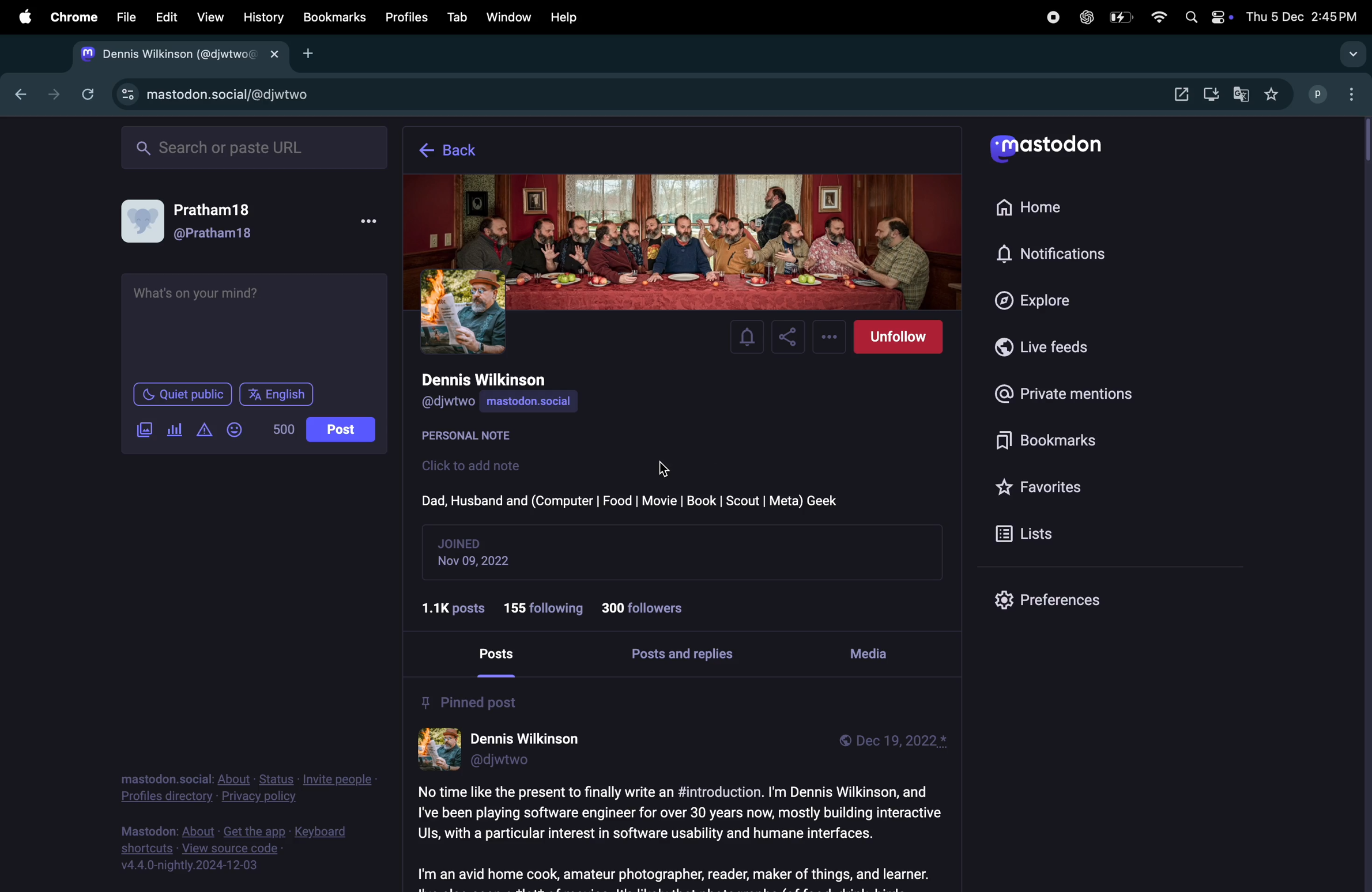 The width and height of the screenshot is (1372, 892). I want to click on list, so click(1025, 532).